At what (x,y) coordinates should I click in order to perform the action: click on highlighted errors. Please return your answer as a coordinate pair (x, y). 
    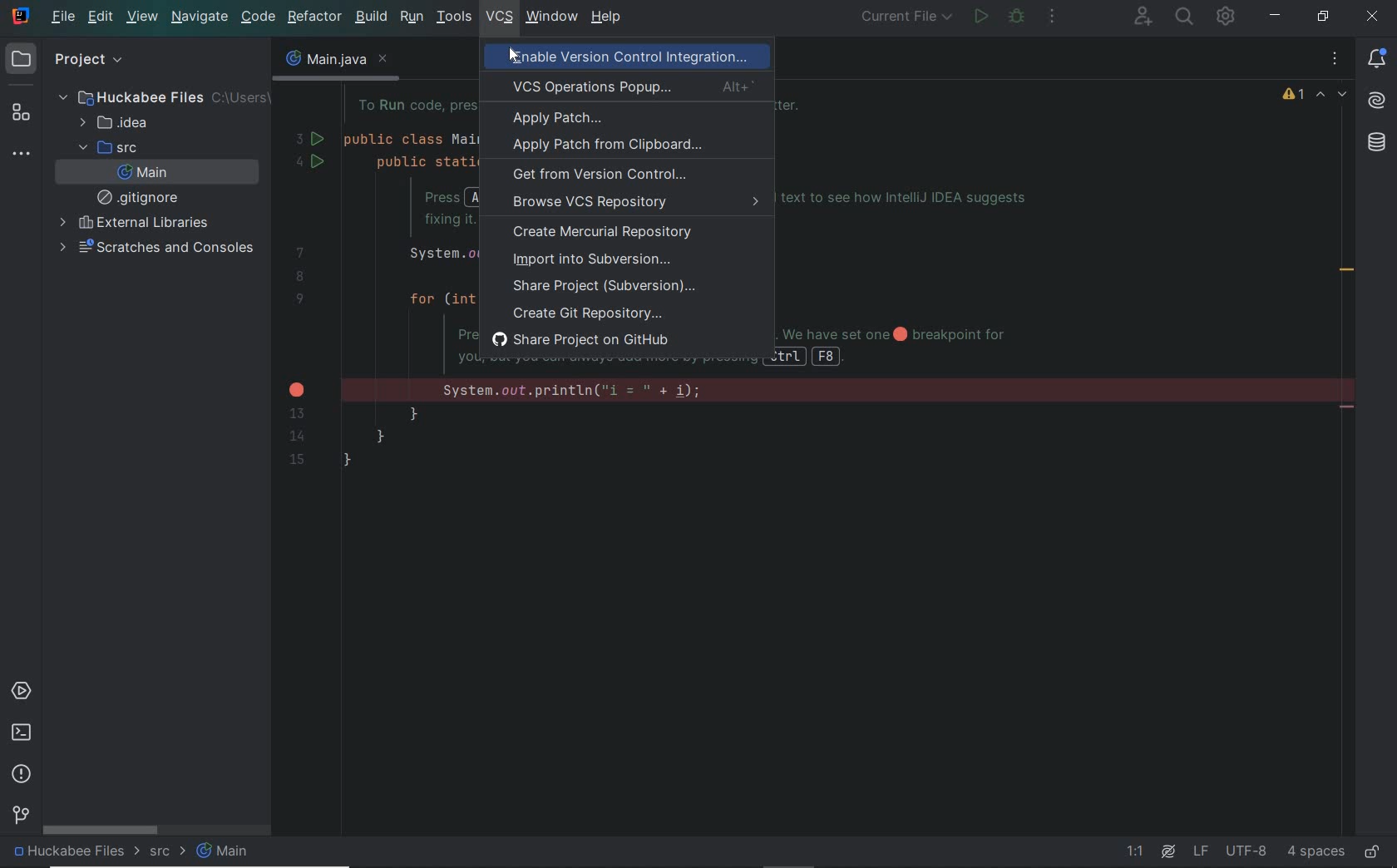
    Looking at the image, I should click on (1334, 96).